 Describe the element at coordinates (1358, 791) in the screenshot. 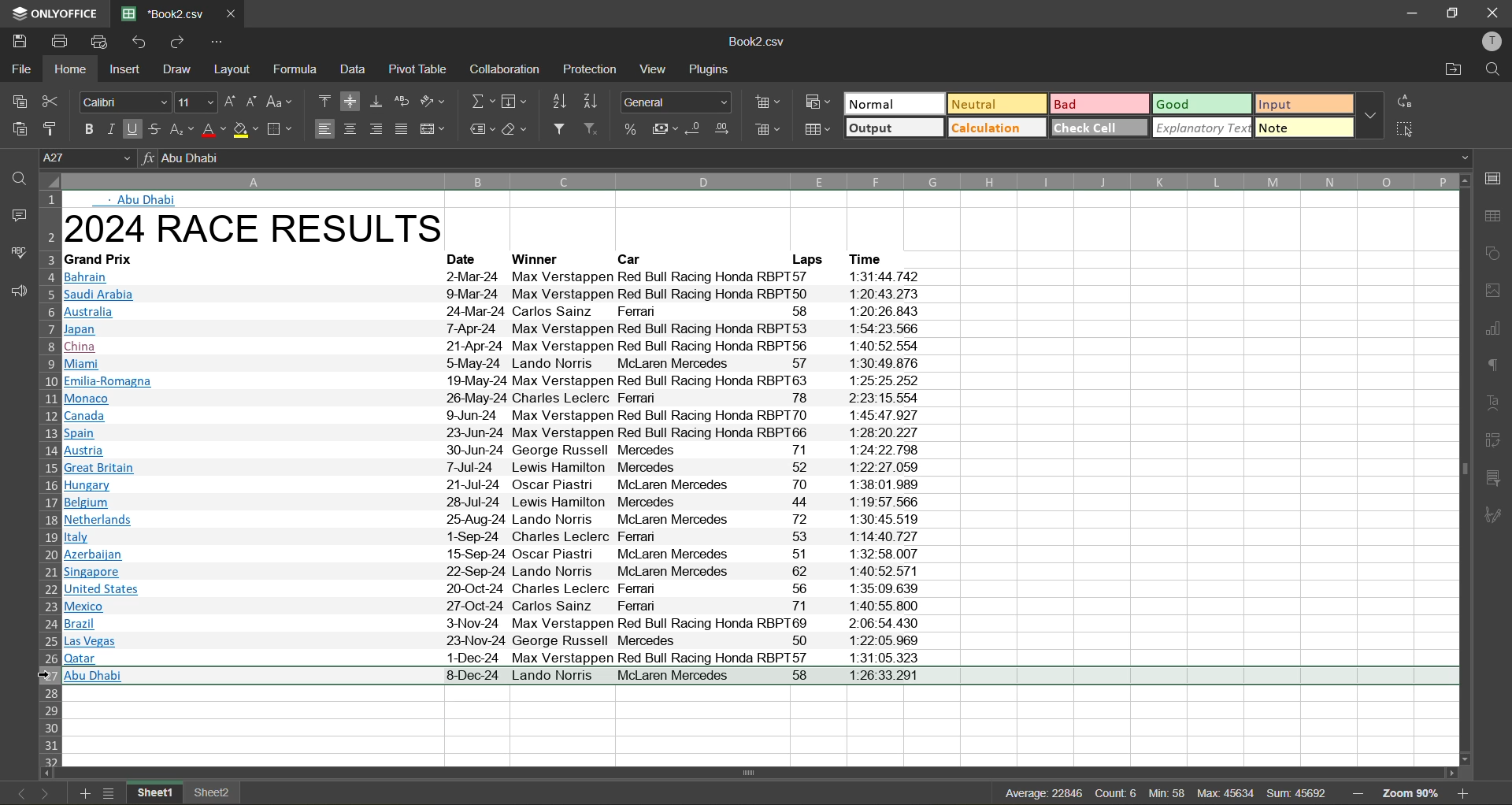

I see `zoom out` at that location.